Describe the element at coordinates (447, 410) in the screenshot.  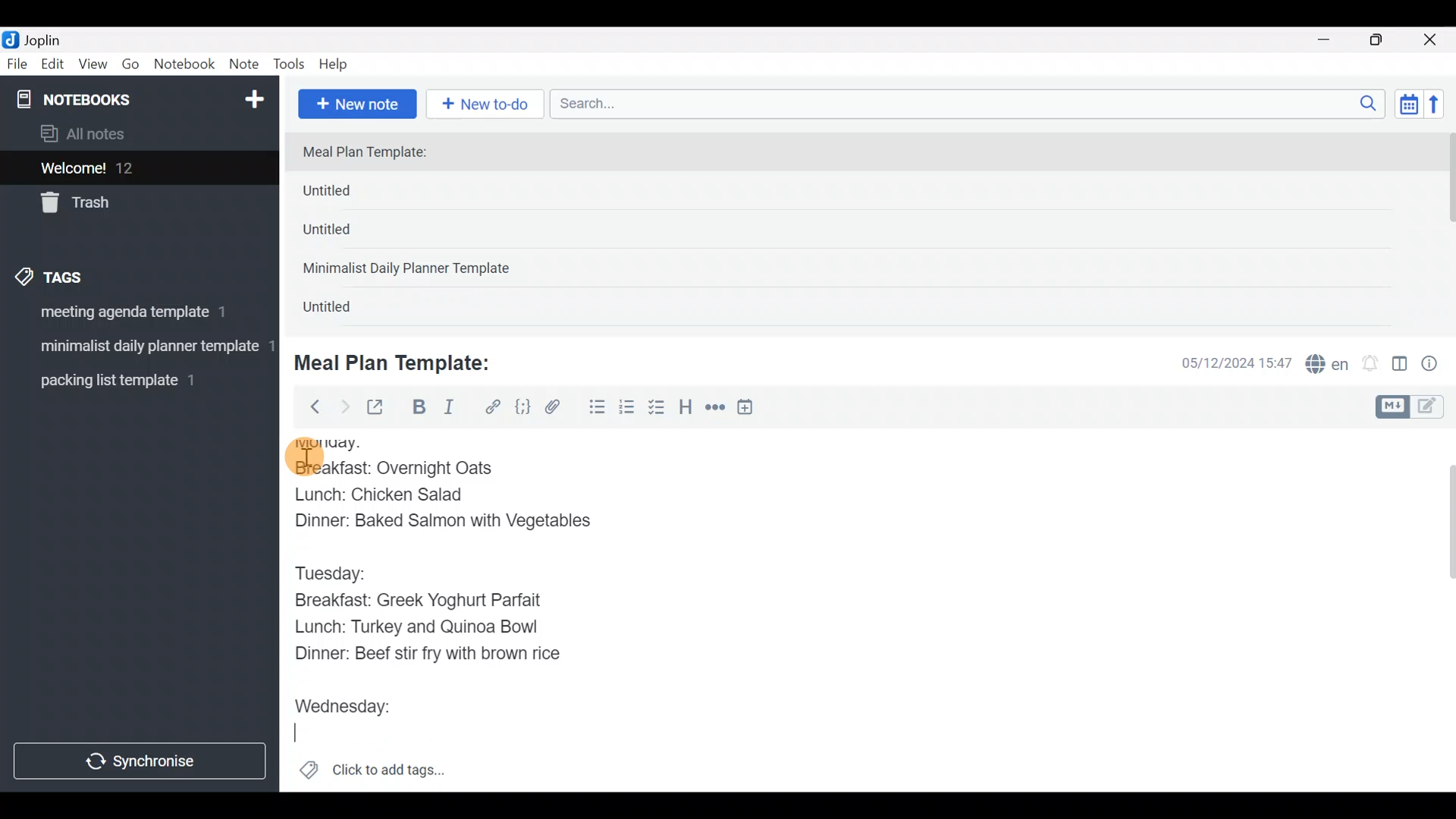
I see `Italic` at that location.